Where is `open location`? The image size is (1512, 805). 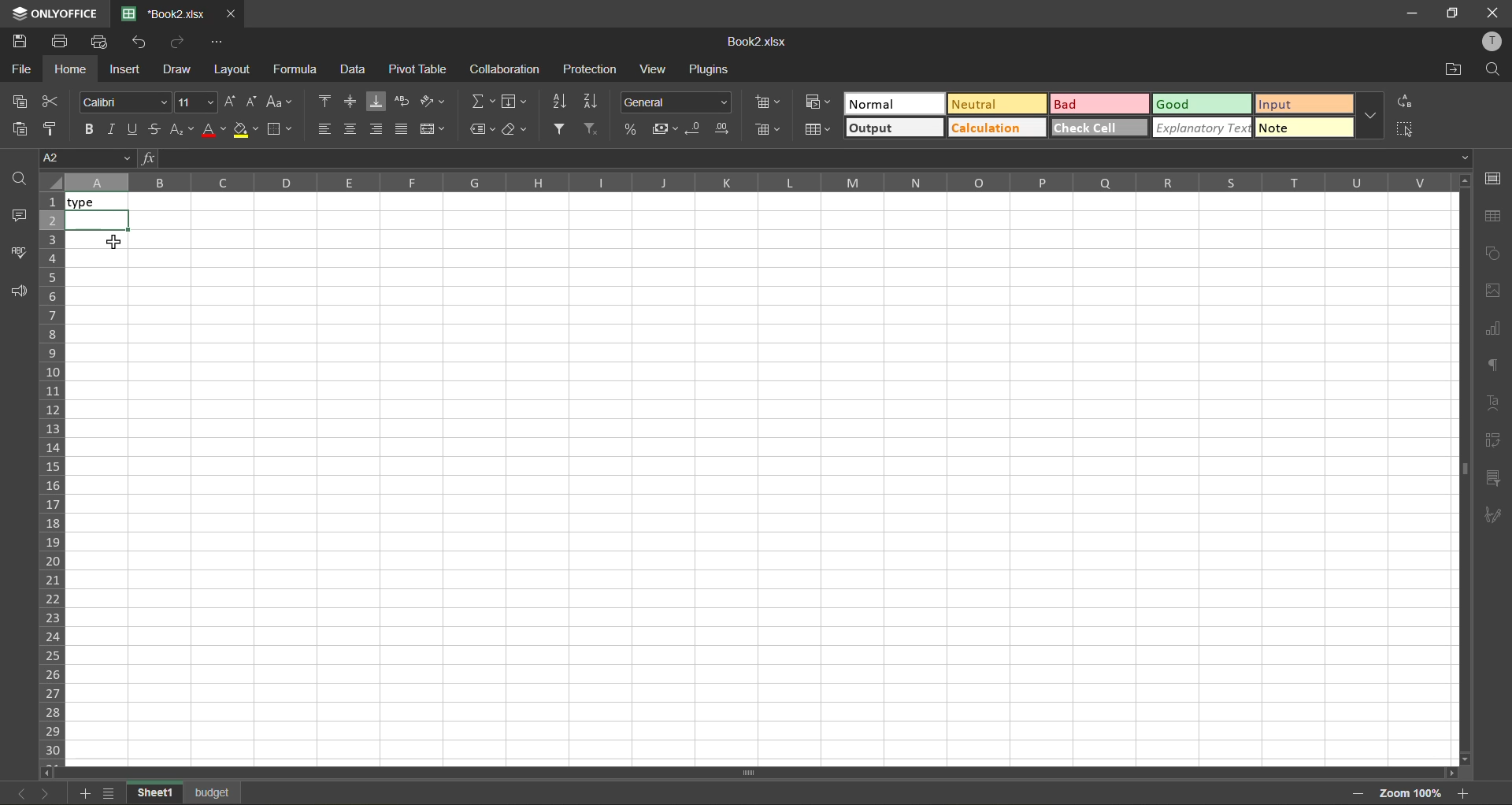
open location is located at coordinates (1454, 69).